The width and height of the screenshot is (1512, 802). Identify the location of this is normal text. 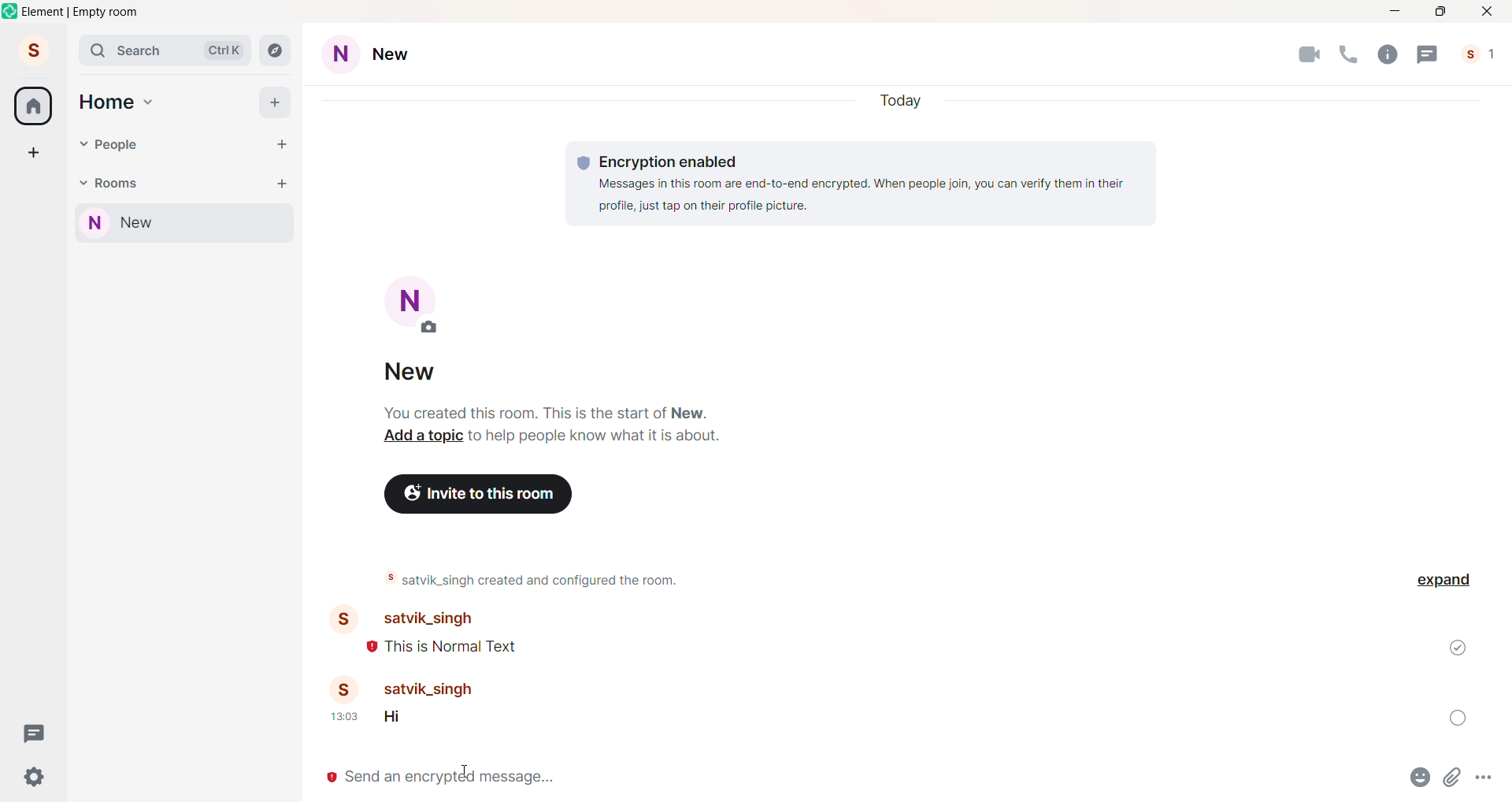
(452, 647).